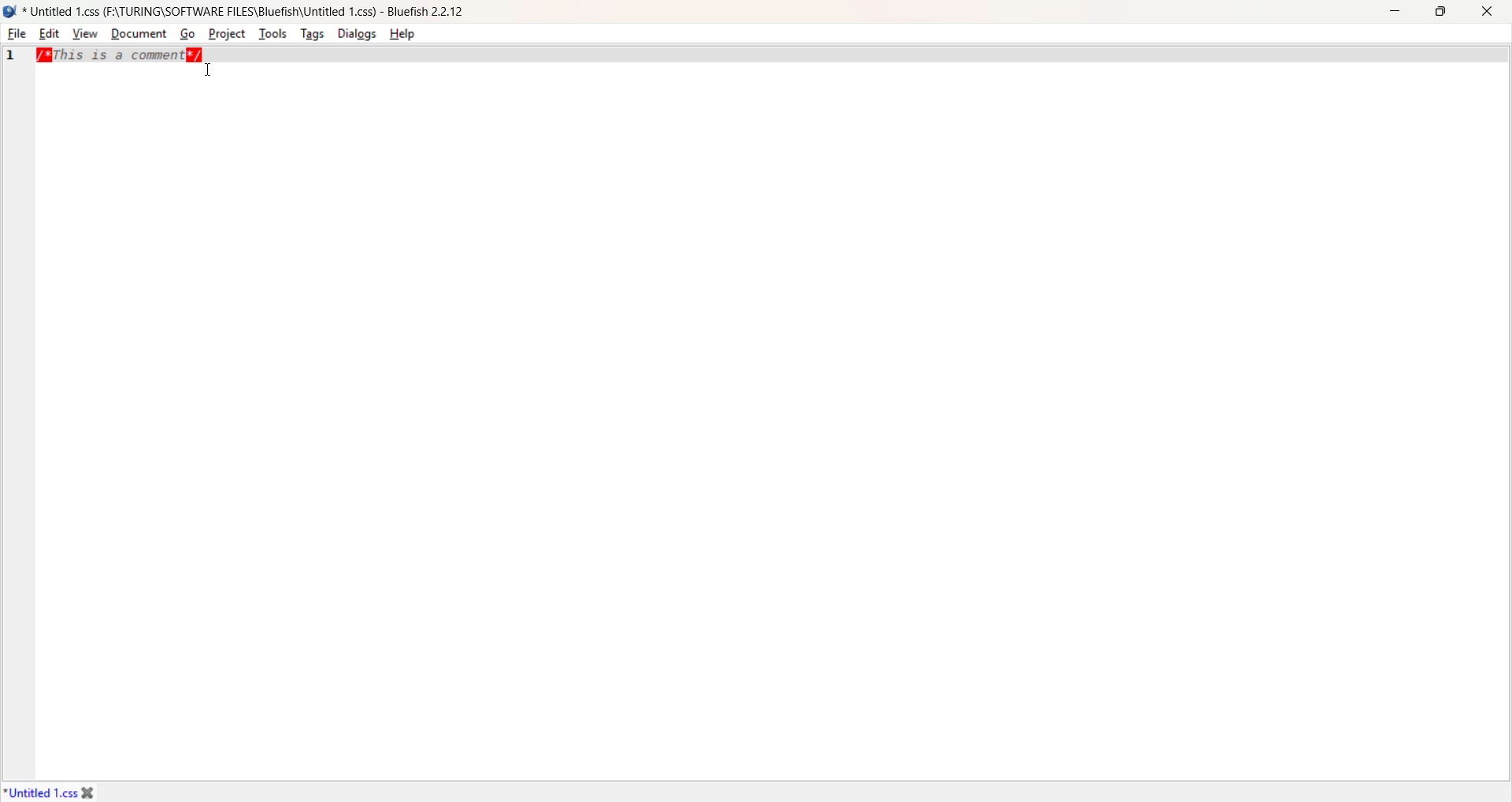 The image size is (1512, 802). I want to click on Tags, so click(314, 33).